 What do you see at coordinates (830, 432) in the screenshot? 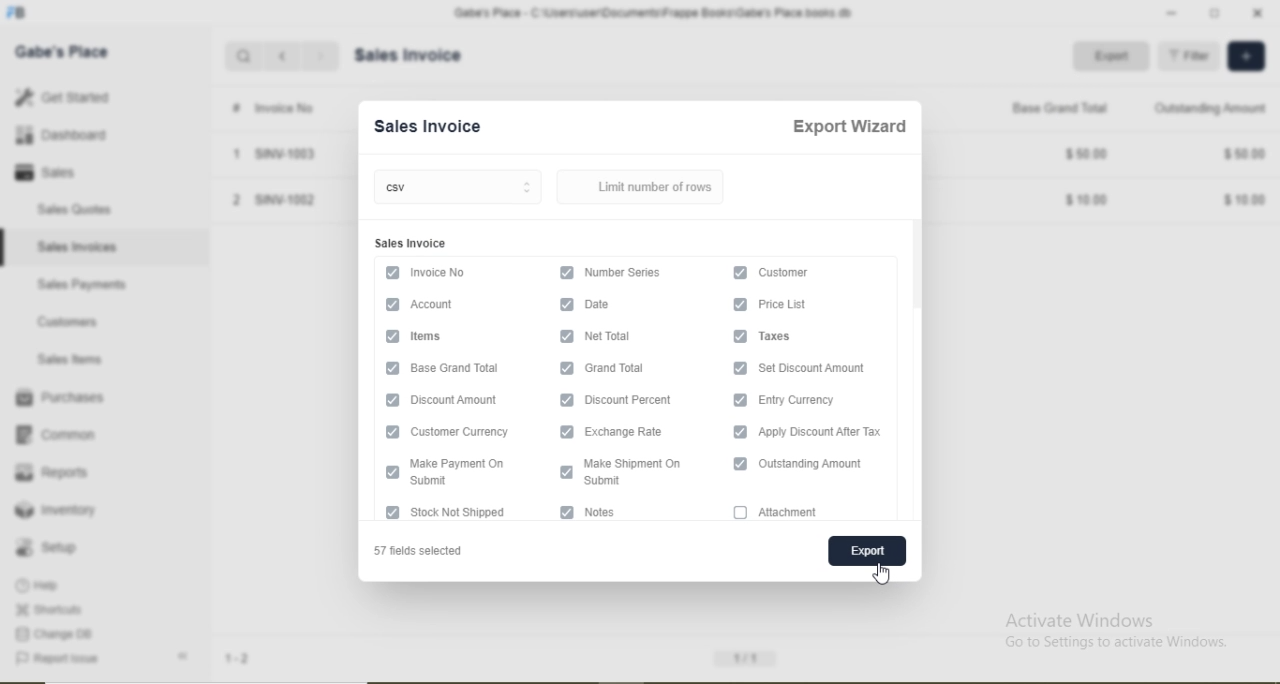
I see `Apply Discount After Tax` at bounding box center [830, 432].